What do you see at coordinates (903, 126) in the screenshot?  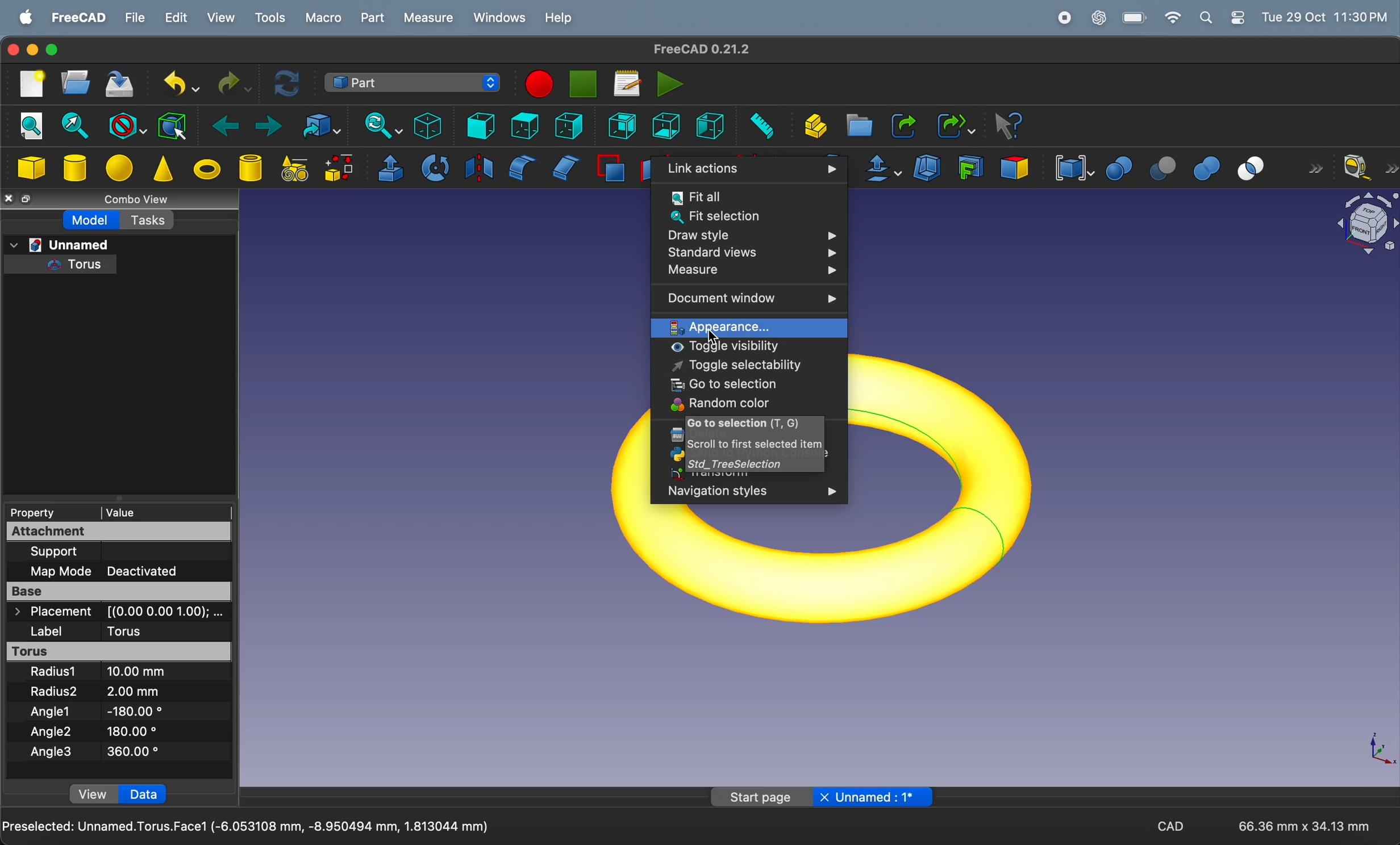 I see `make link` at bounding box center [903, 126].